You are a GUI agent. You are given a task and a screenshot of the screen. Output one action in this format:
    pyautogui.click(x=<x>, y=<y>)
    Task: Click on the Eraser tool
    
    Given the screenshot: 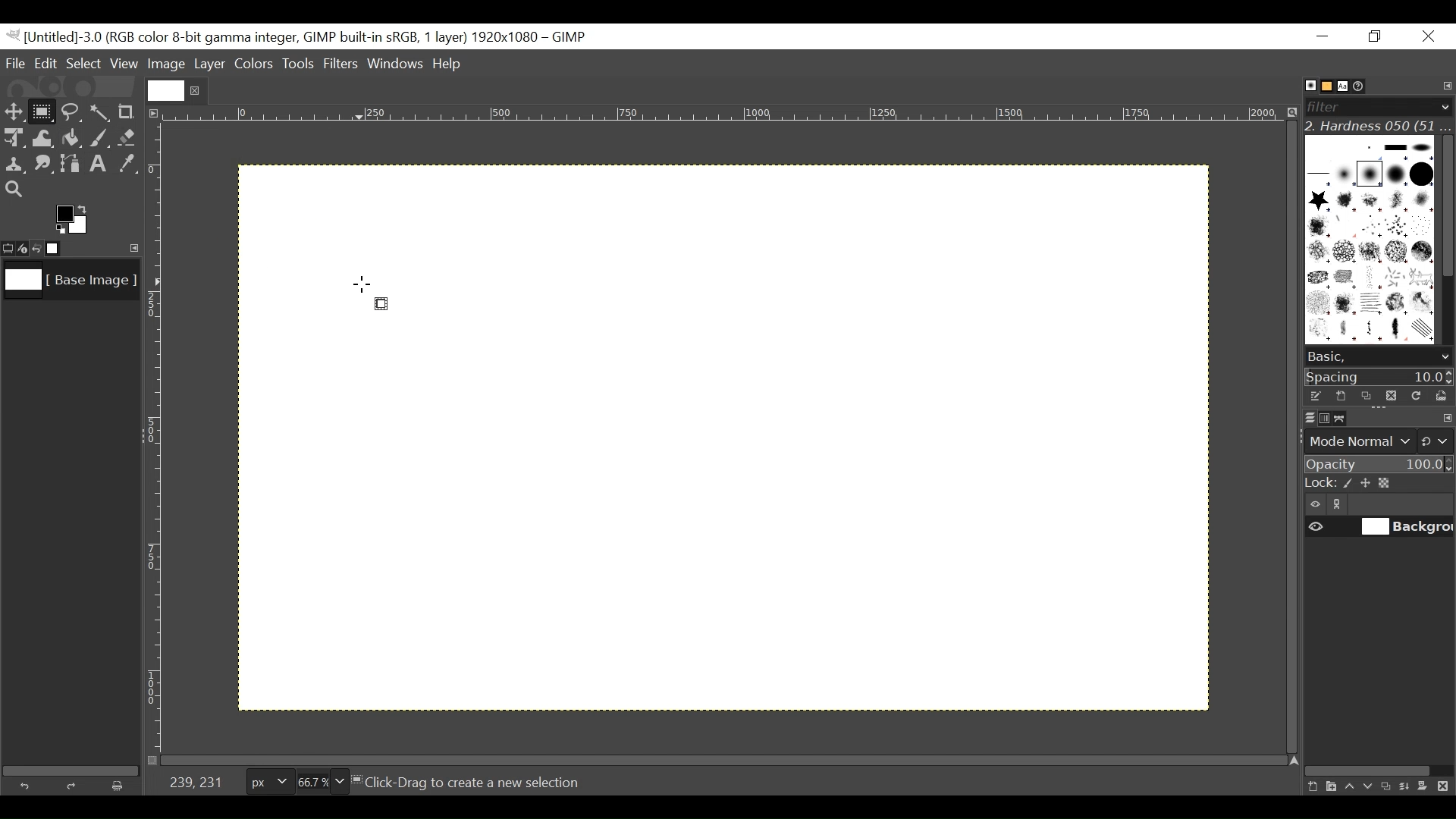 What is the action you would take?
    pyautogui.click(x=129, y=139)
    